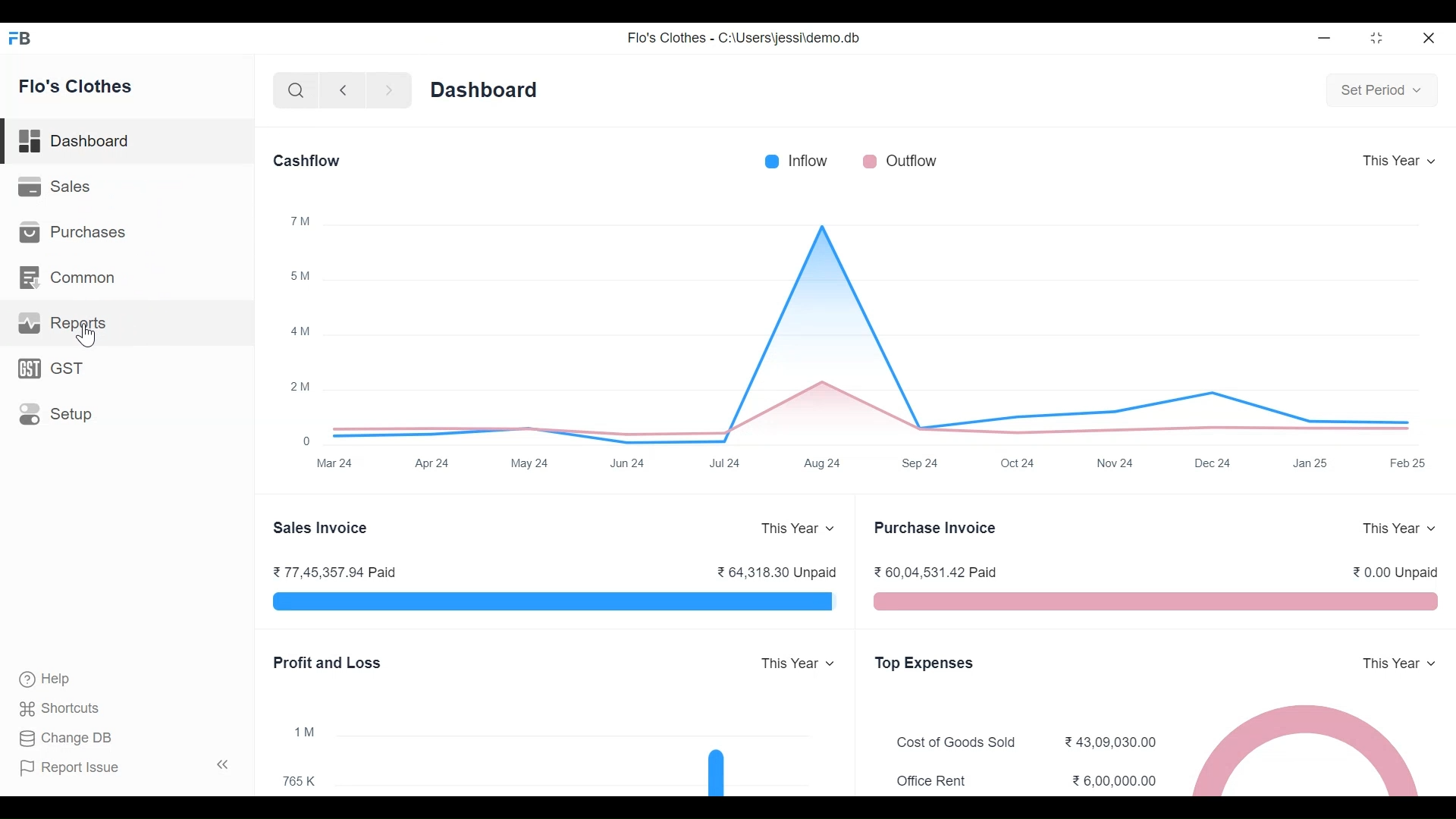 This screenshot has height=819, width=1456. Describe the element at coordinates (337, 465) in the screenshot. I see `Mar 24` at that location.